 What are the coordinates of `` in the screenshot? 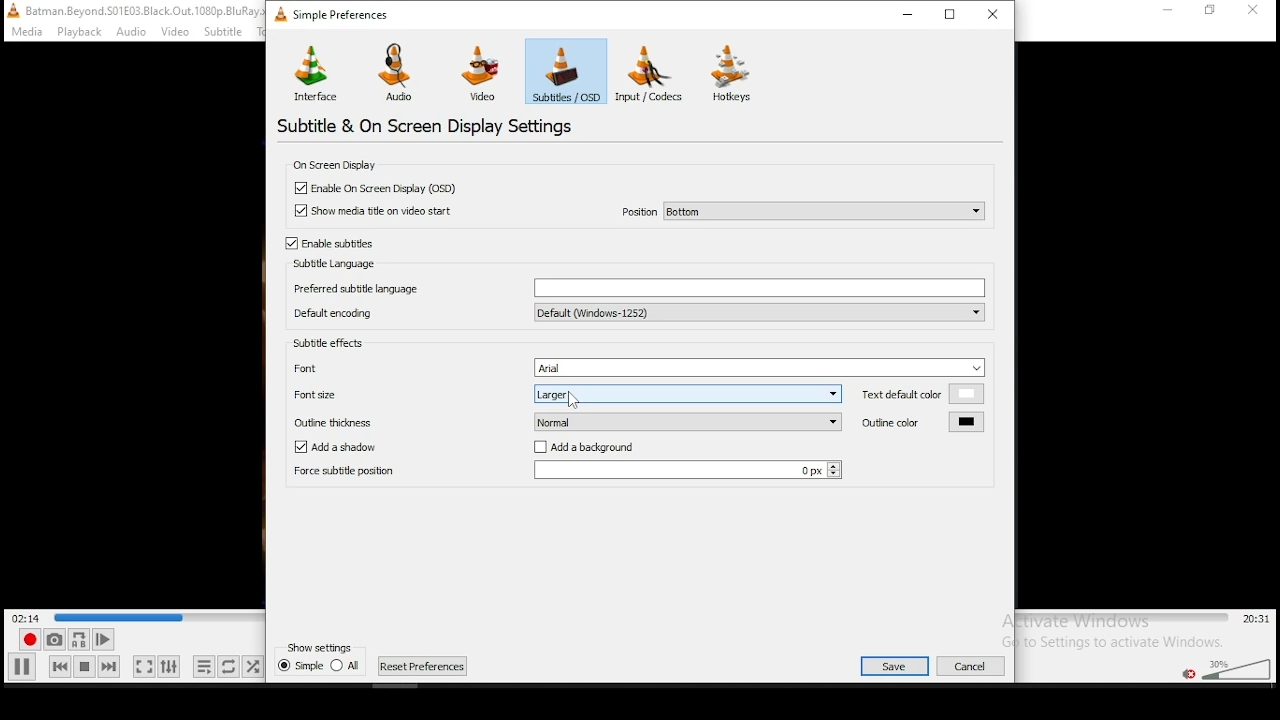 It's located at (78, 32).